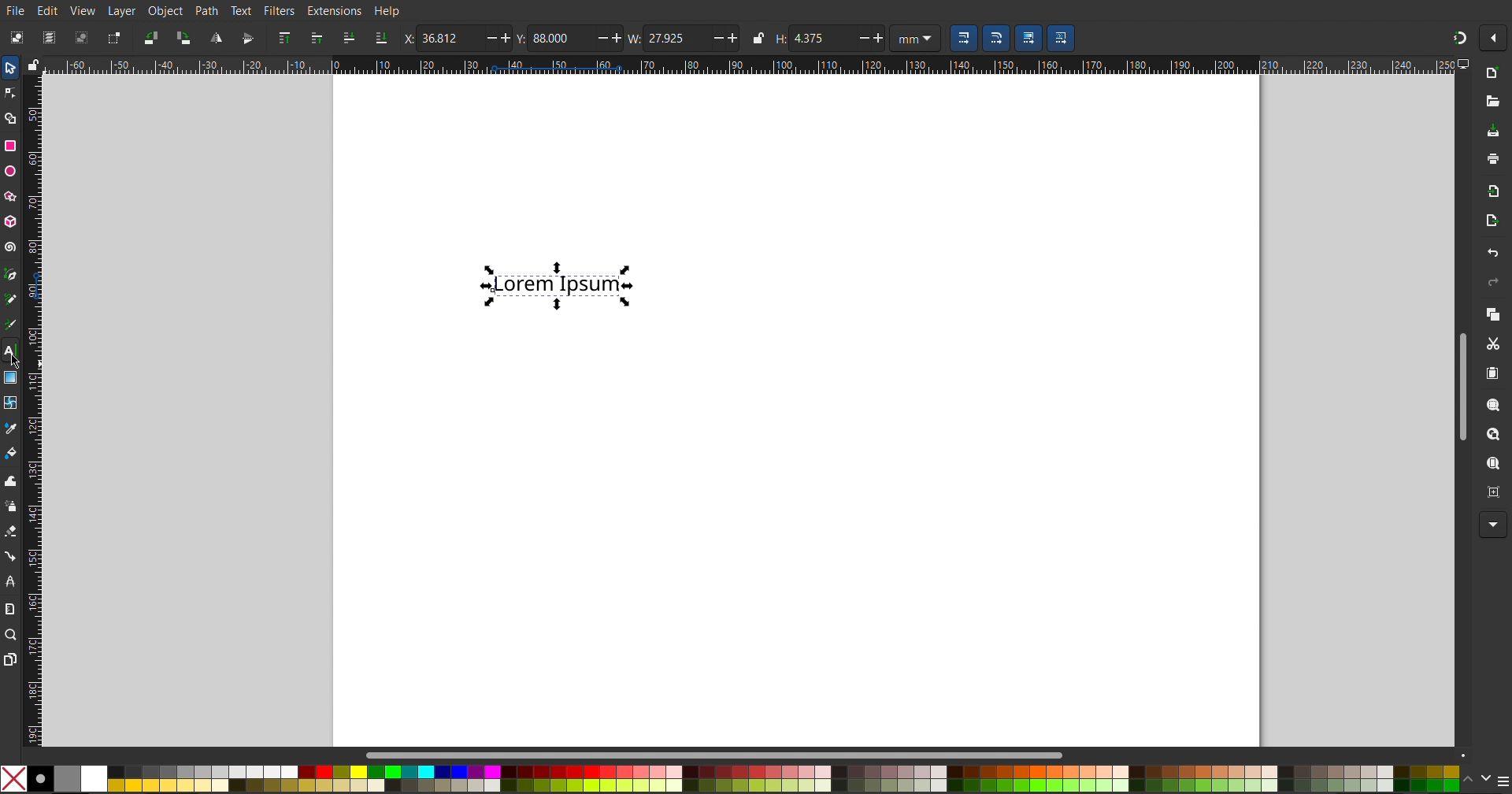 This screenshot has height=794, width=1512. What do you see at coordinates (1489, 525) in the screenshot?
I see `More` at bounding box center [1489, 525].